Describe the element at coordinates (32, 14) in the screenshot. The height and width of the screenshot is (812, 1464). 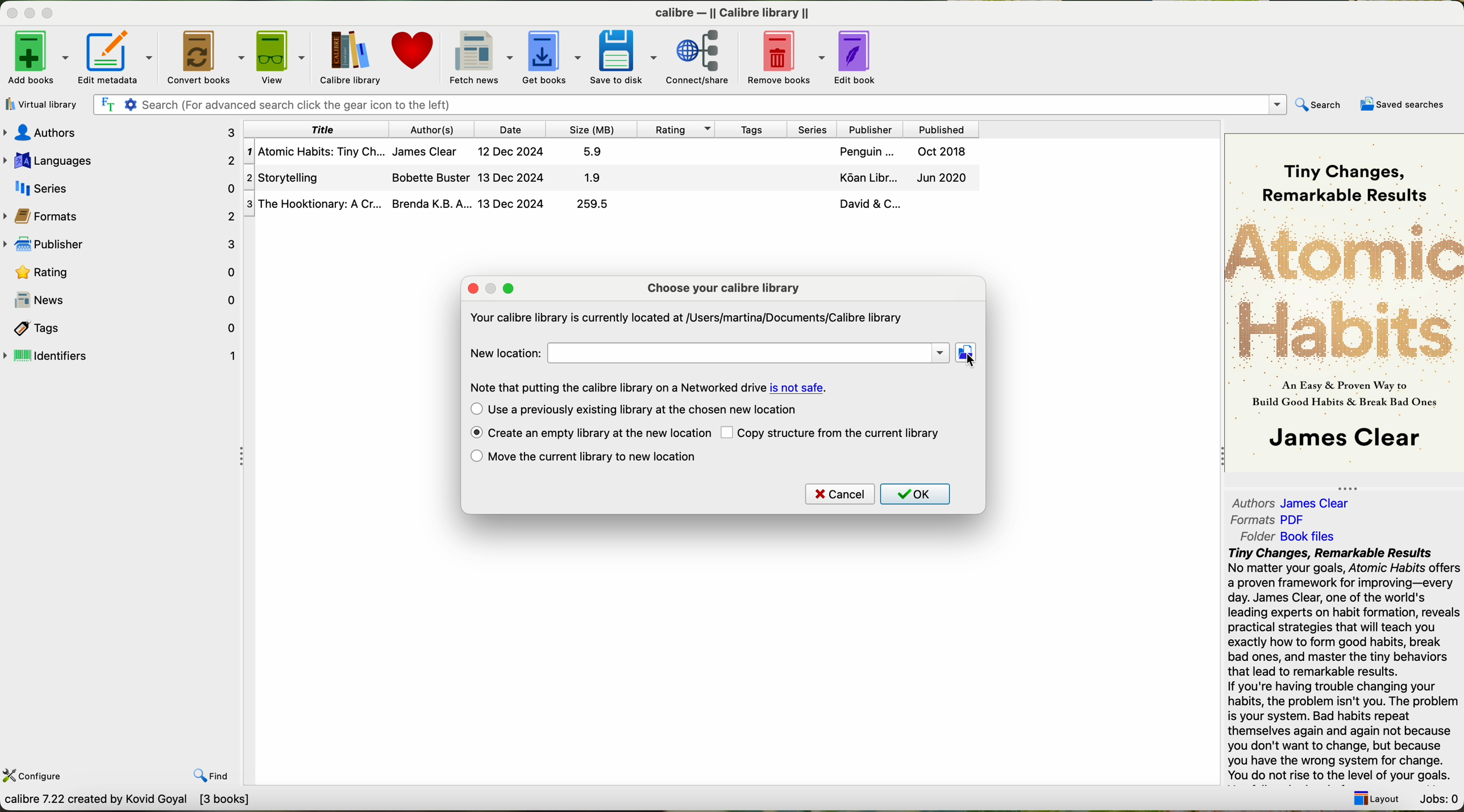
I see `minimize program` at that location.